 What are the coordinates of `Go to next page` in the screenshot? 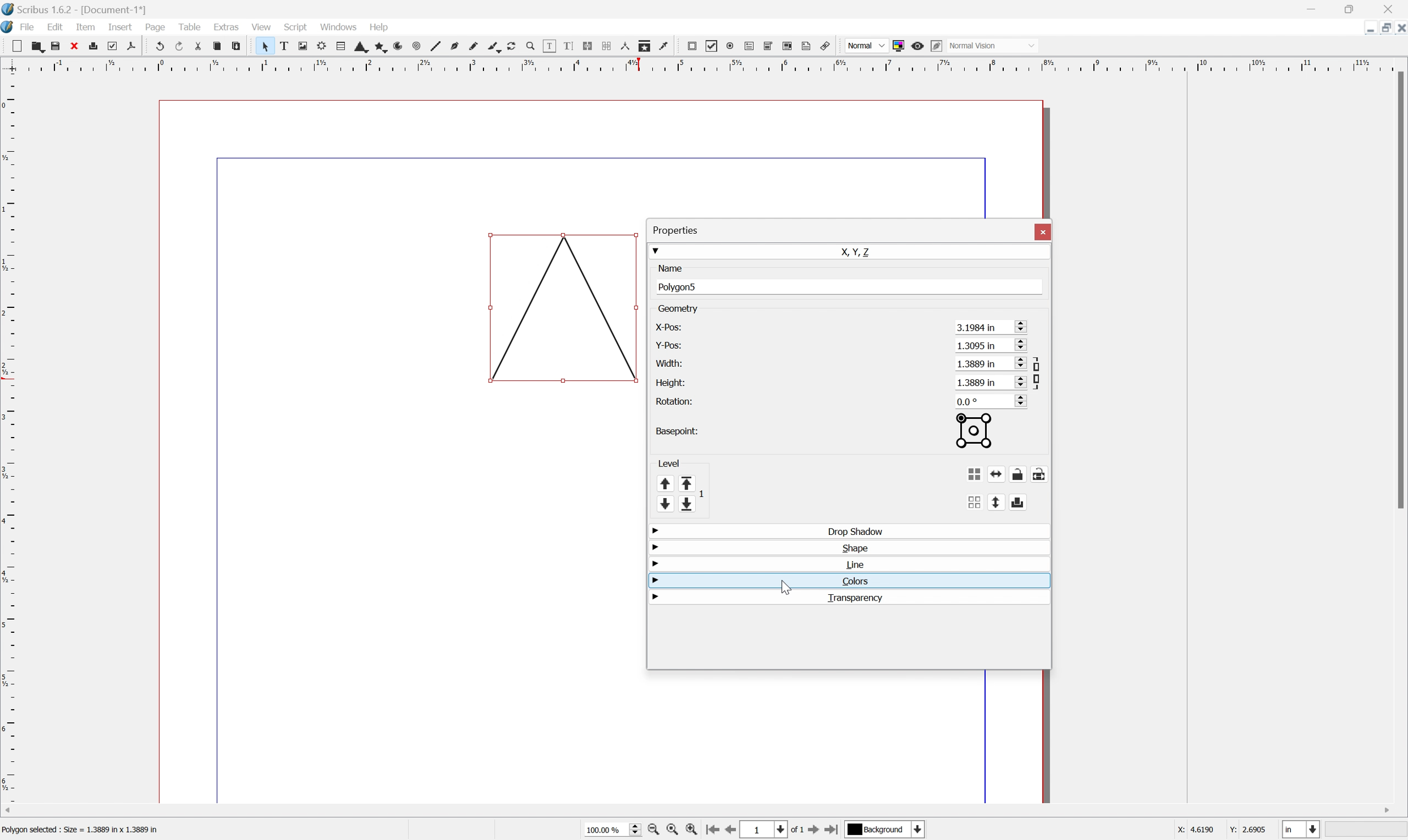 It's located at (814, 830).